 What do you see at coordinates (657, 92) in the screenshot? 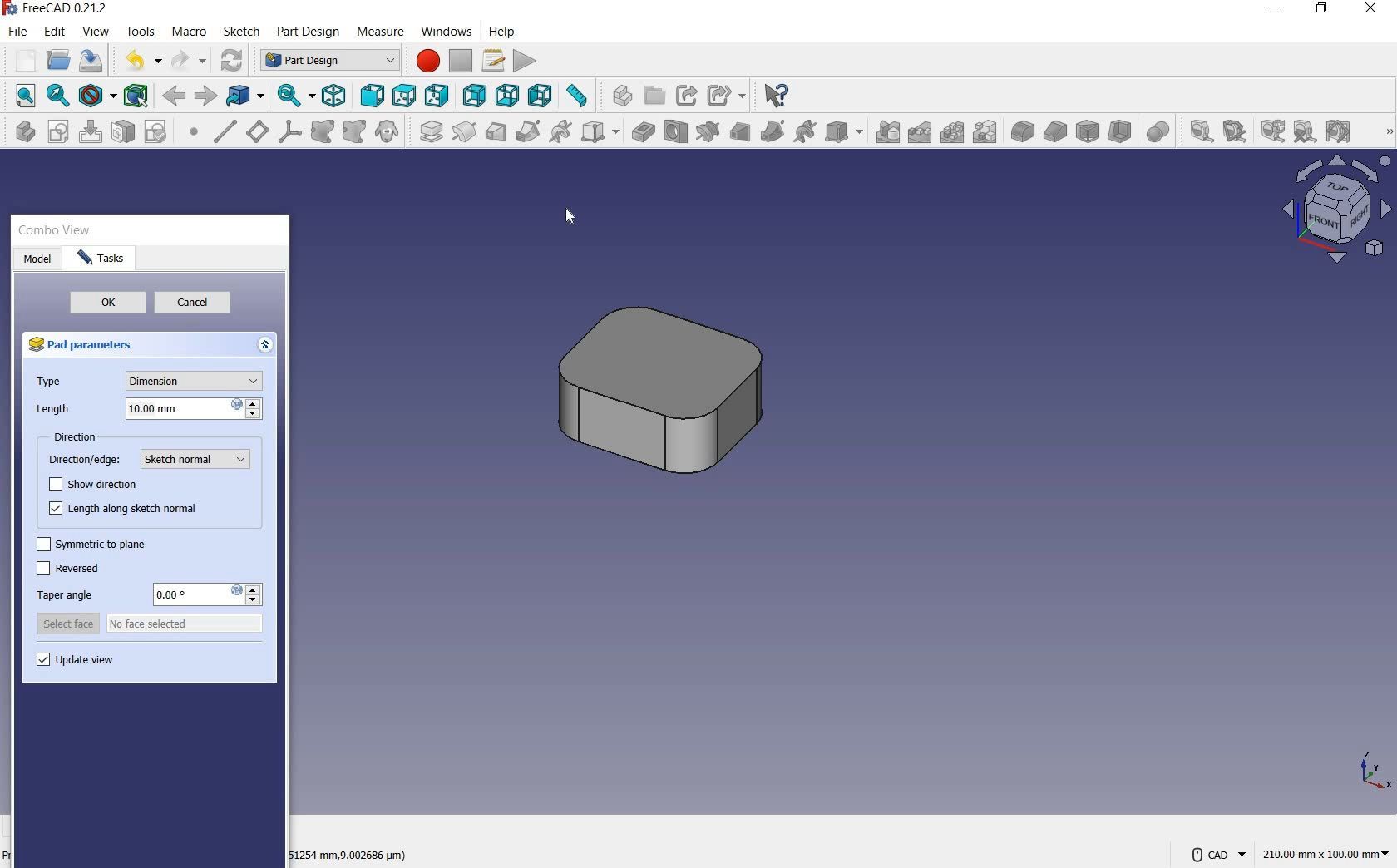
I see `Open` at bounding box center [657, 92].